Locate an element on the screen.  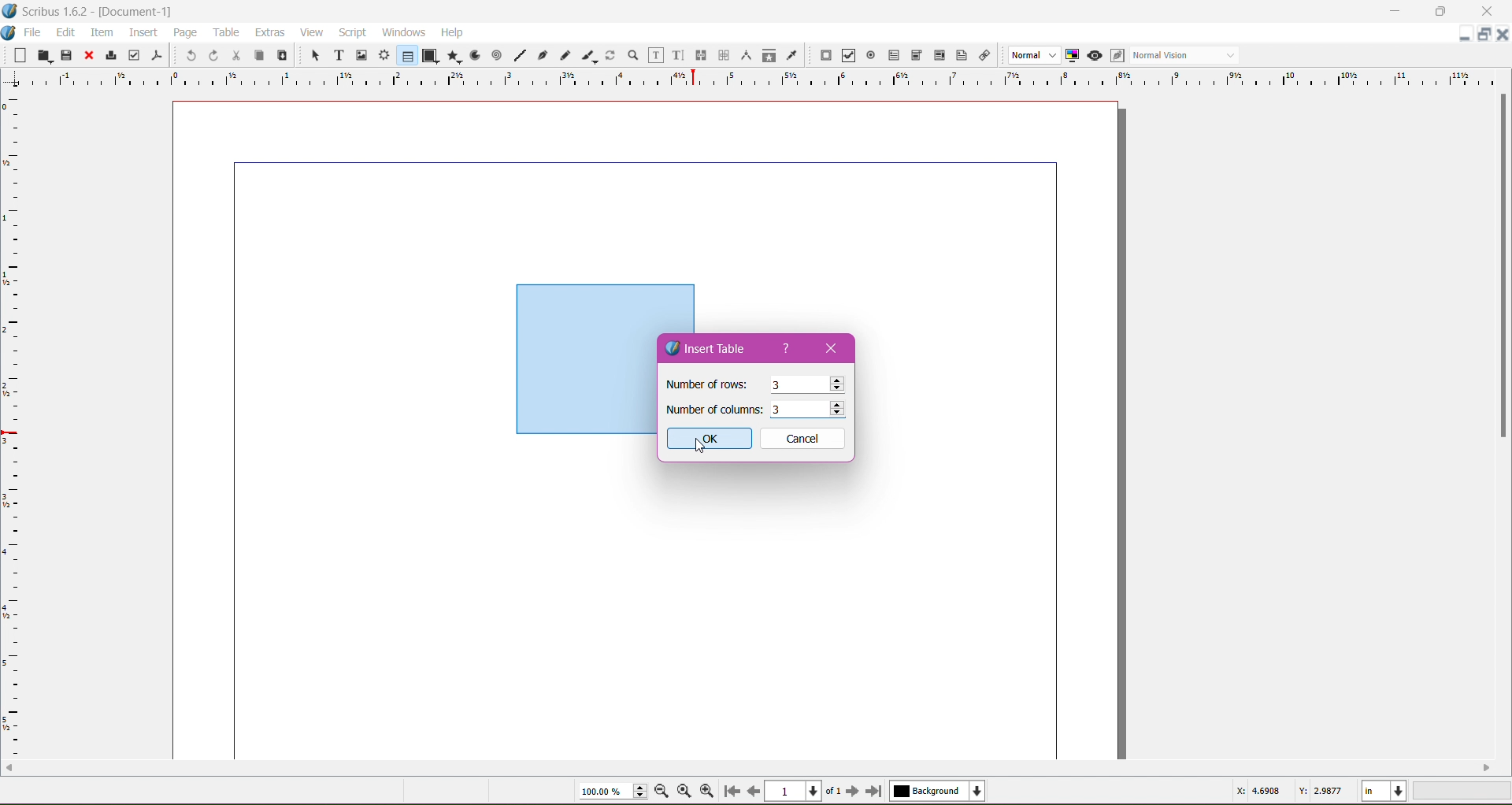
PDF combo box is located at coordinates (913, 56).